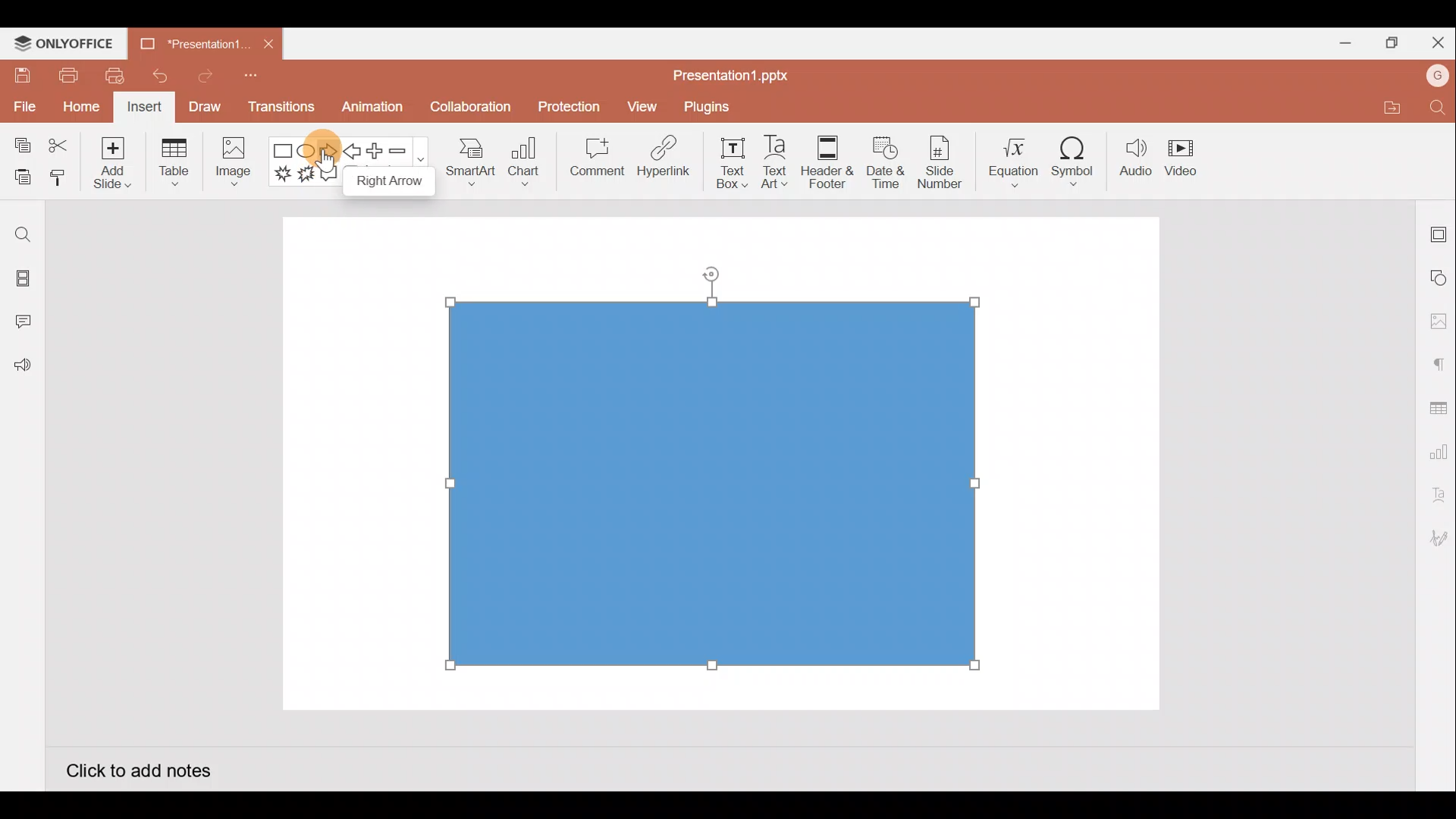  I want to click on Redo, so click(199, 75).